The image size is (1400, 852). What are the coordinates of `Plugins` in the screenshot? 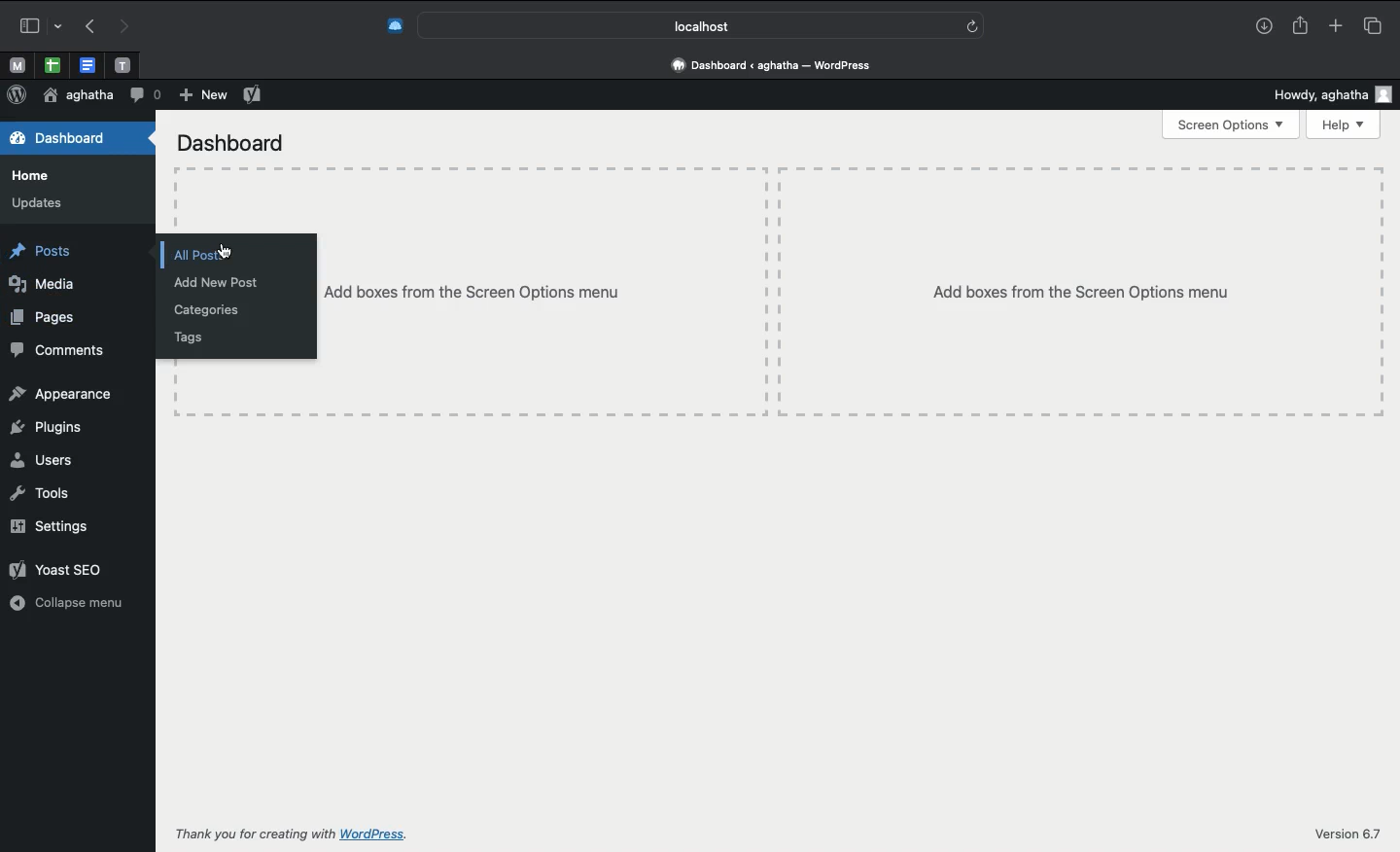 It's located at (43, 427).